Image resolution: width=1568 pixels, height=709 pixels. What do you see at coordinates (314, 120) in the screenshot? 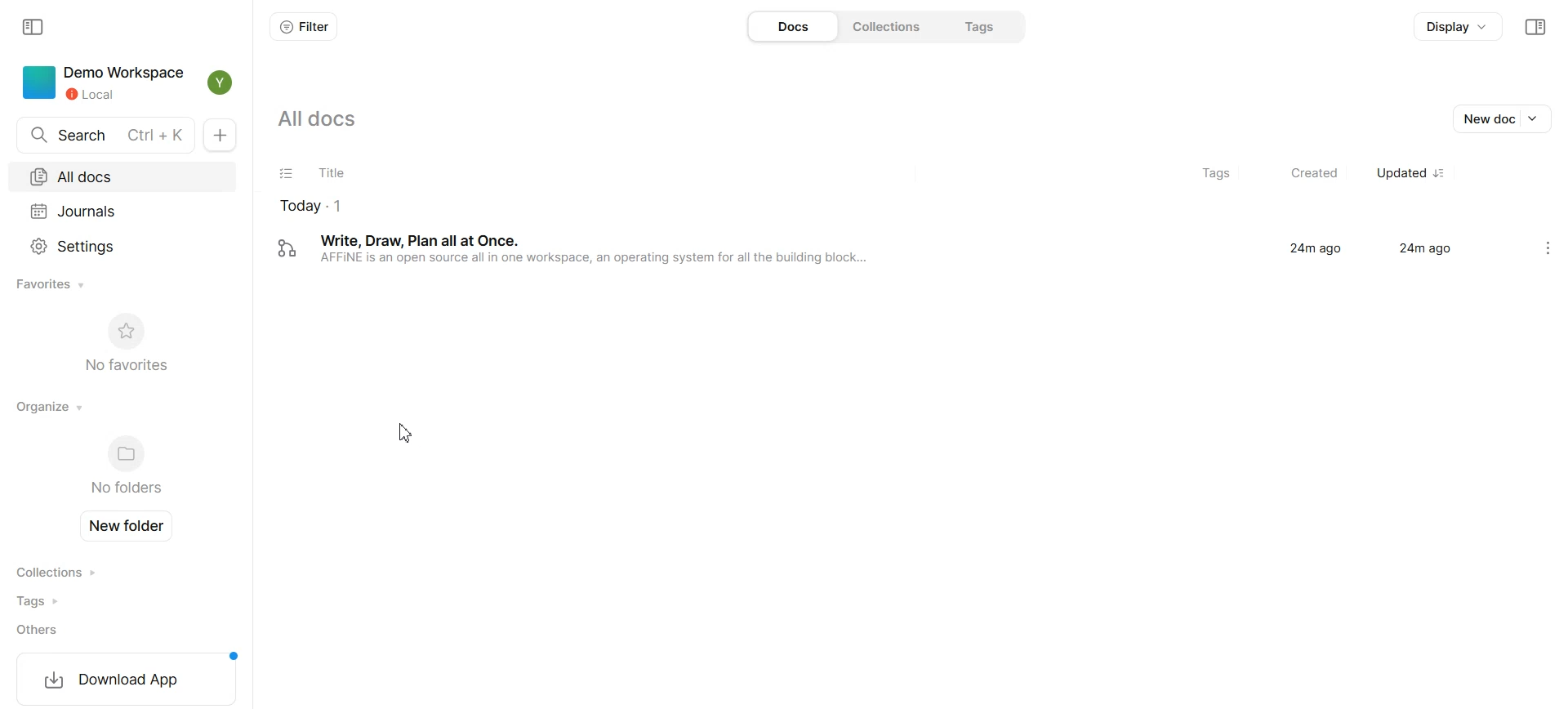
I see `all docs` at bounding box center [314, 120].